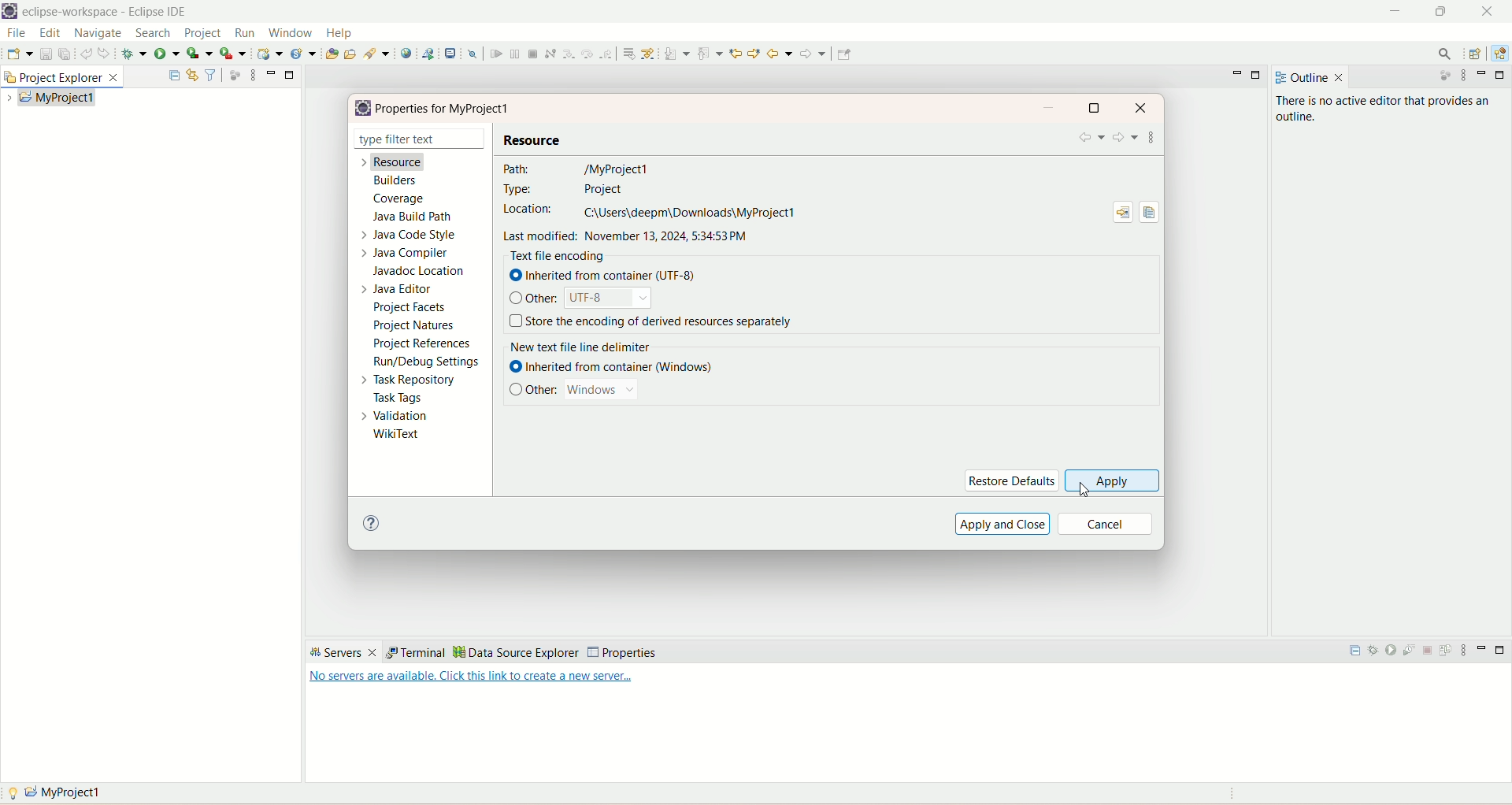  I want to click on minimize, so click(1481, 72).